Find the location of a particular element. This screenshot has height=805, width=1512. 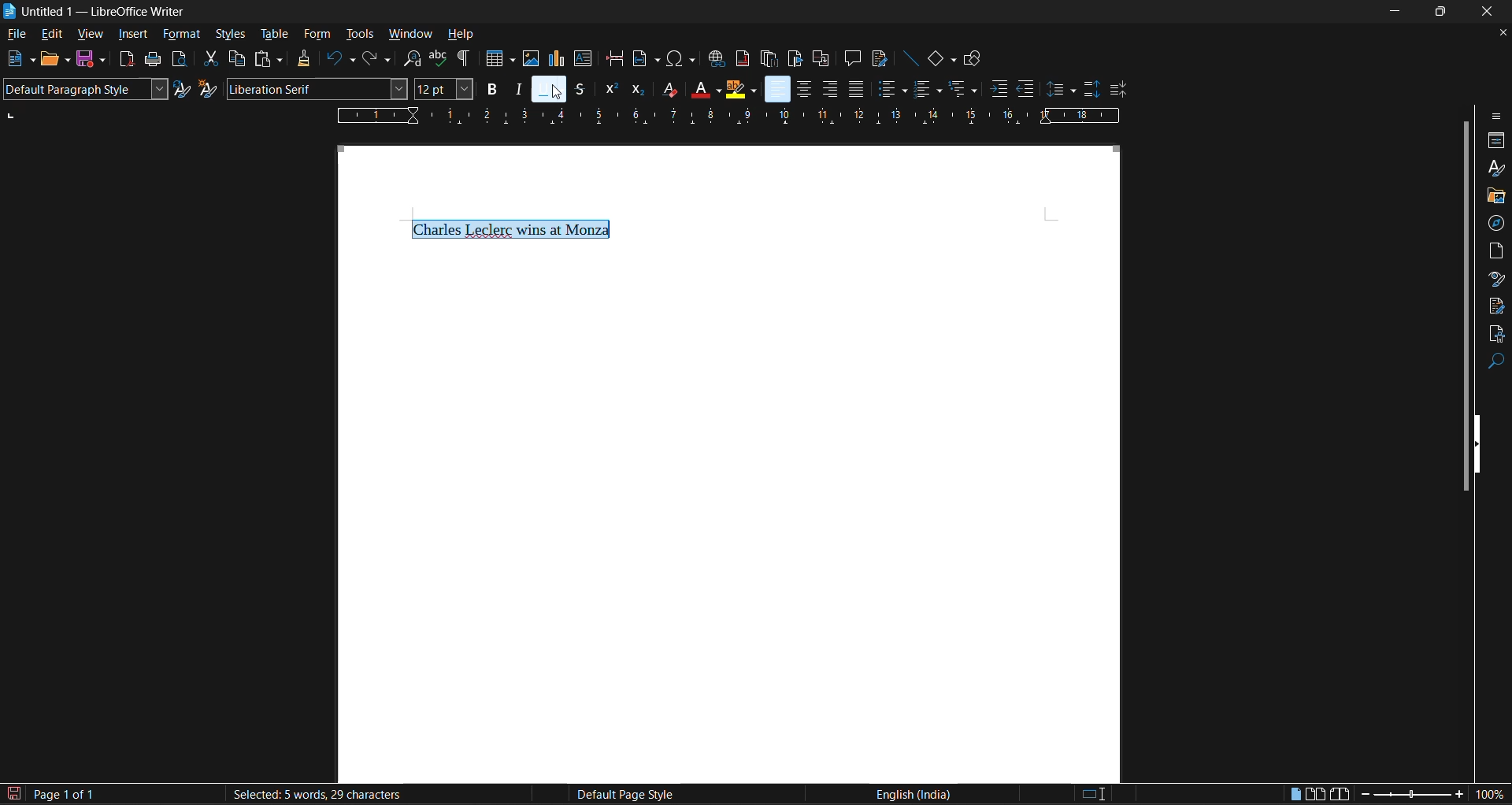

insert field is located at coordinates (642, 57).